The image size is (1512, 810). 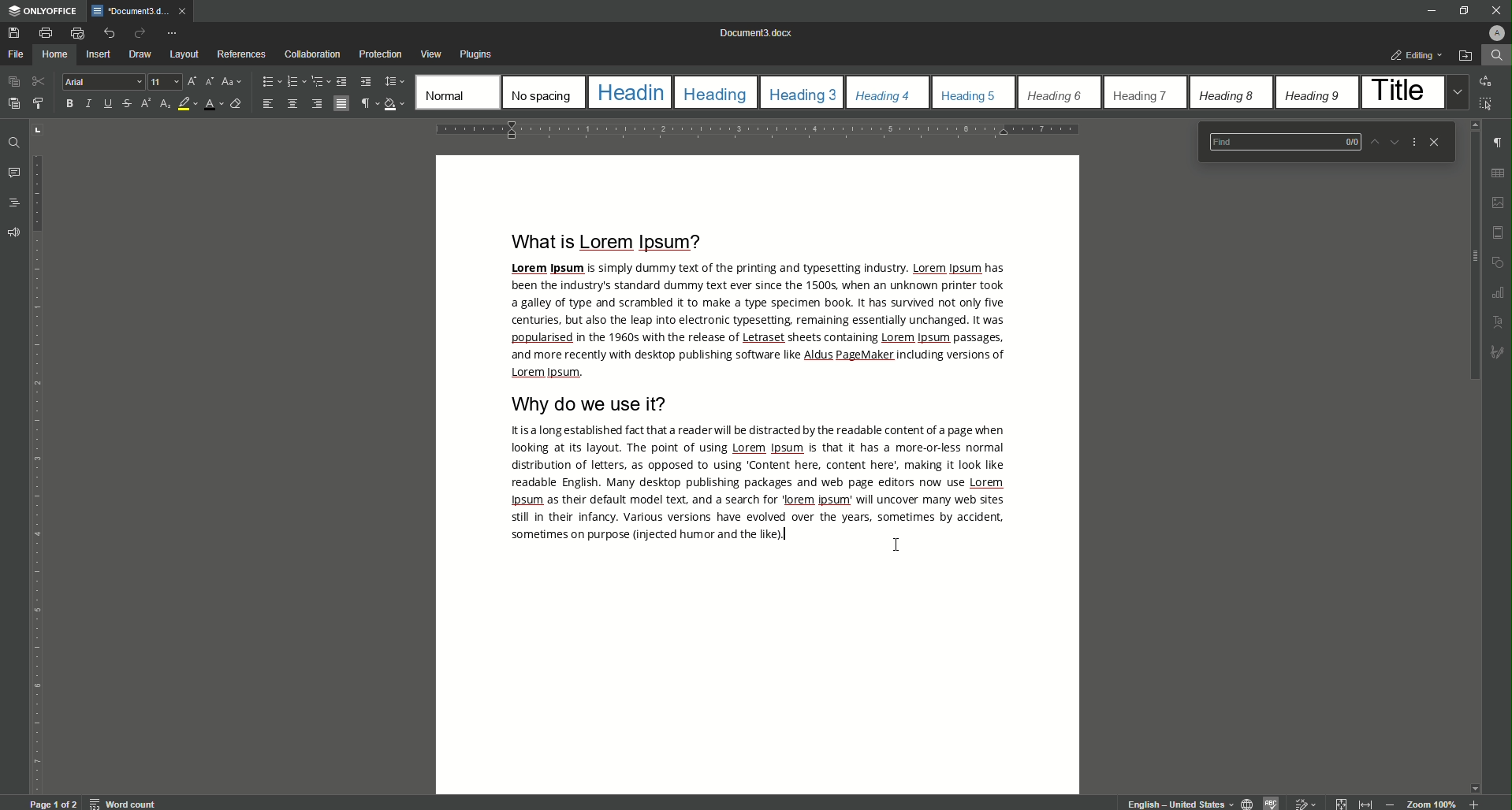 What do you see at coordinates (268, 105) in the screenshot?
I see `Align Left` at bounding box center [268, 105].